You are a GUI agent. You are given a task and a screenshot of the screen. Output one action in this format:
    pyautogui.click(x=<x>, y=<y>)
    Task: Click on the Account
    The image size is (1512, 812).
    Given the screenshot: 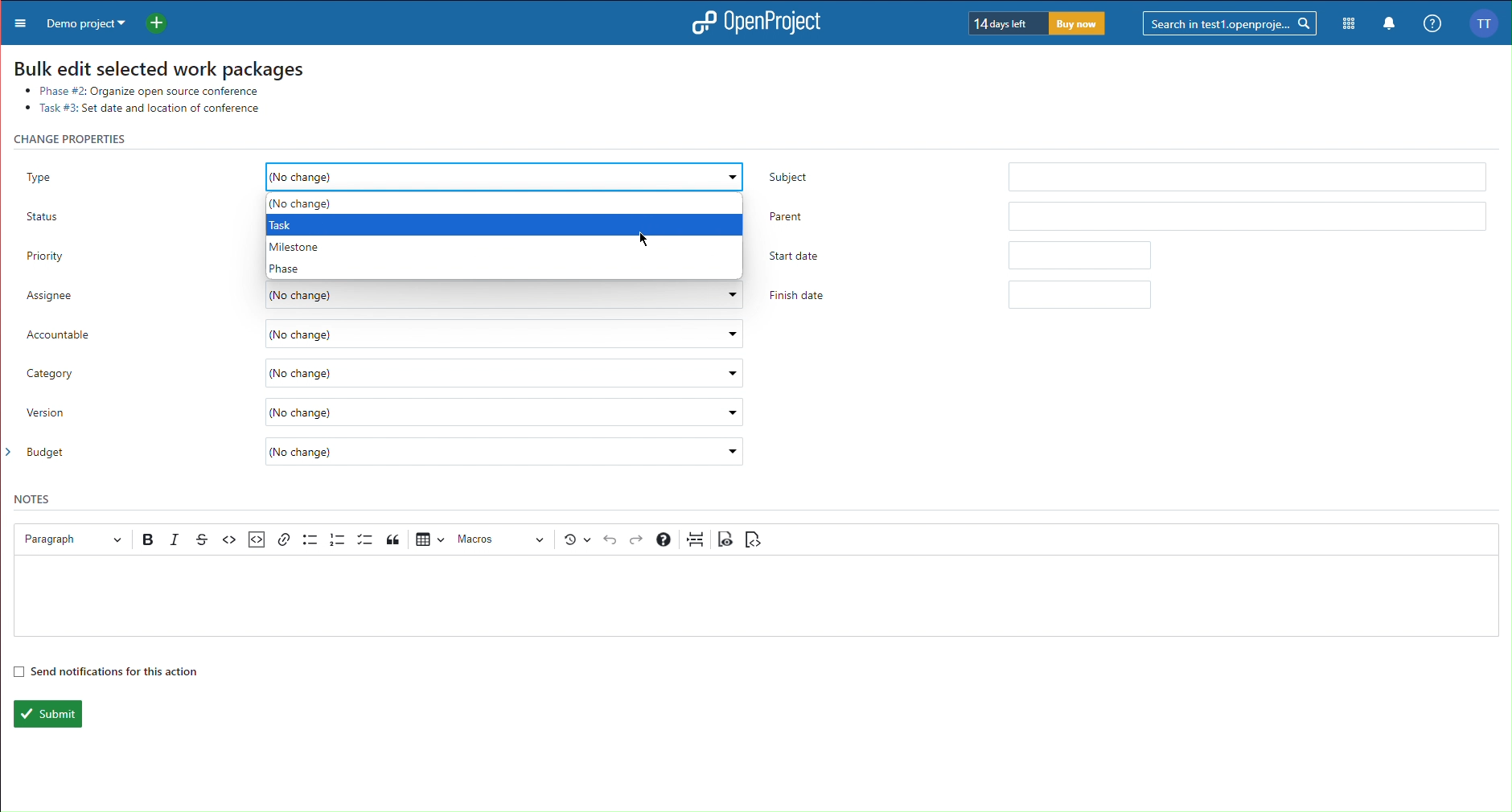 What is the action you would take?
    pyautogui.click(x=1489, y=23)
    